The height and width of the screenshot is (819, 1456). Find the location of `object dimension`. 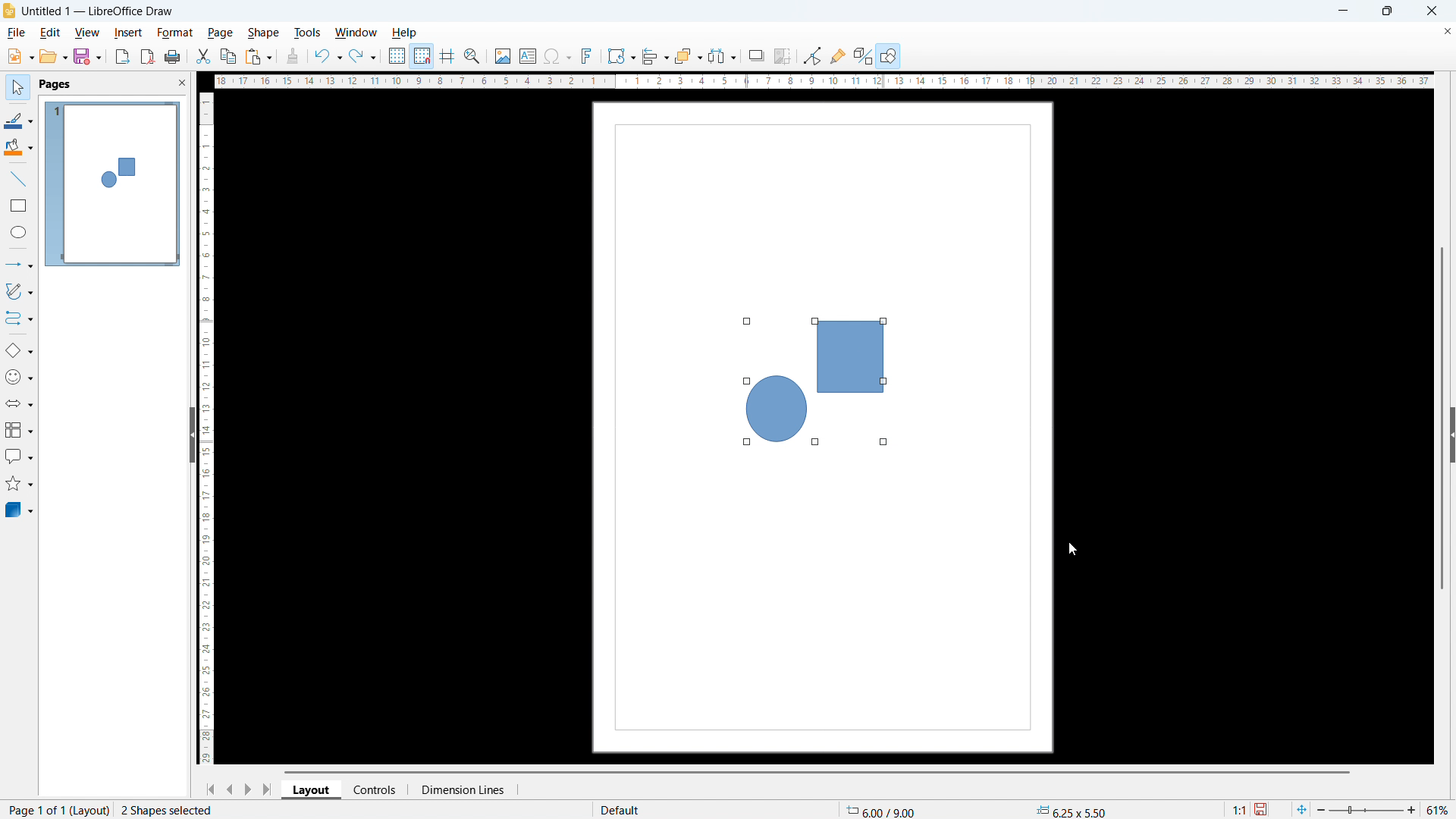

object dimension is located at coordinates (1068, 809).